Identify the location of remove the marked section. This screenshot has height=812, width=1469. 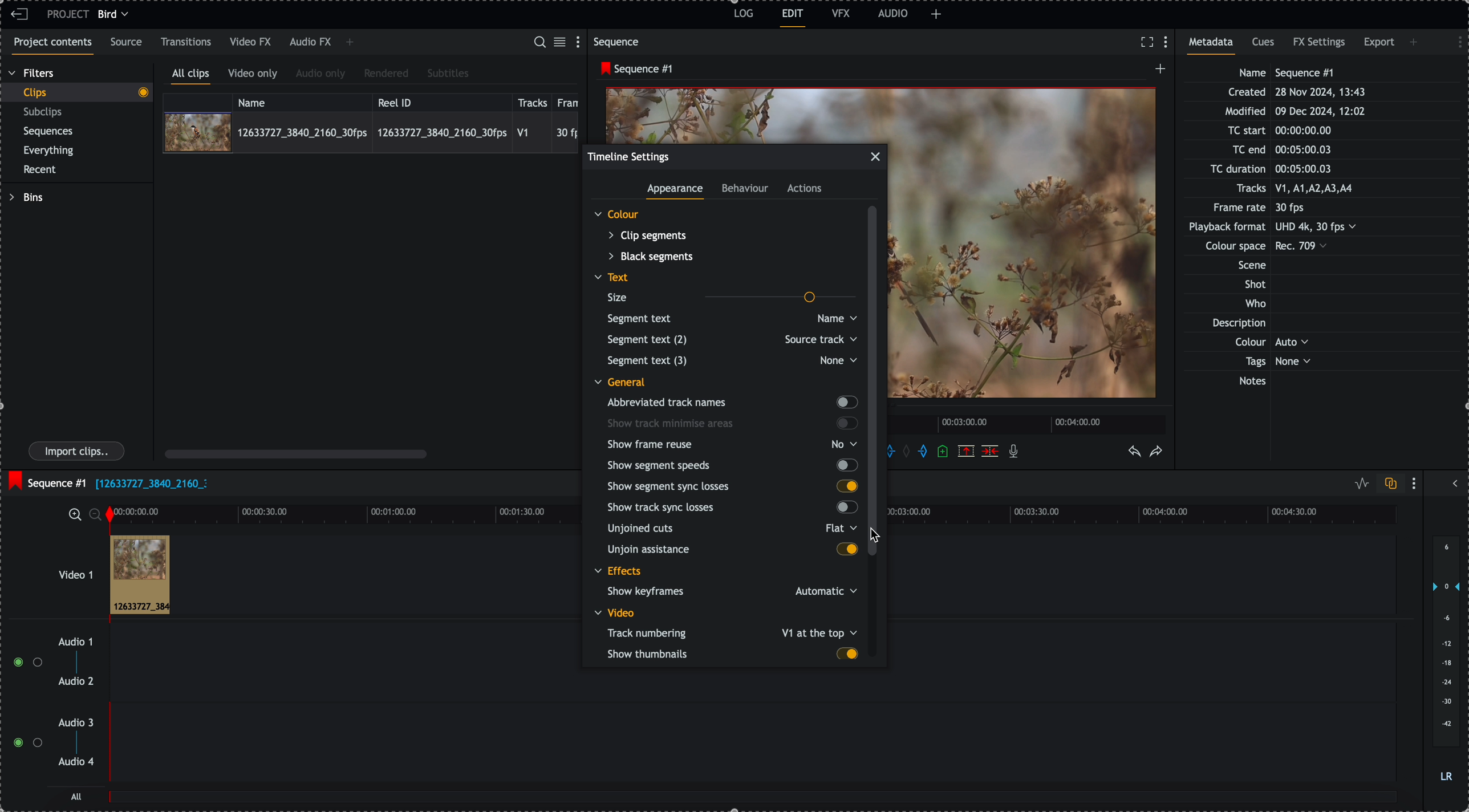
(966, 450).